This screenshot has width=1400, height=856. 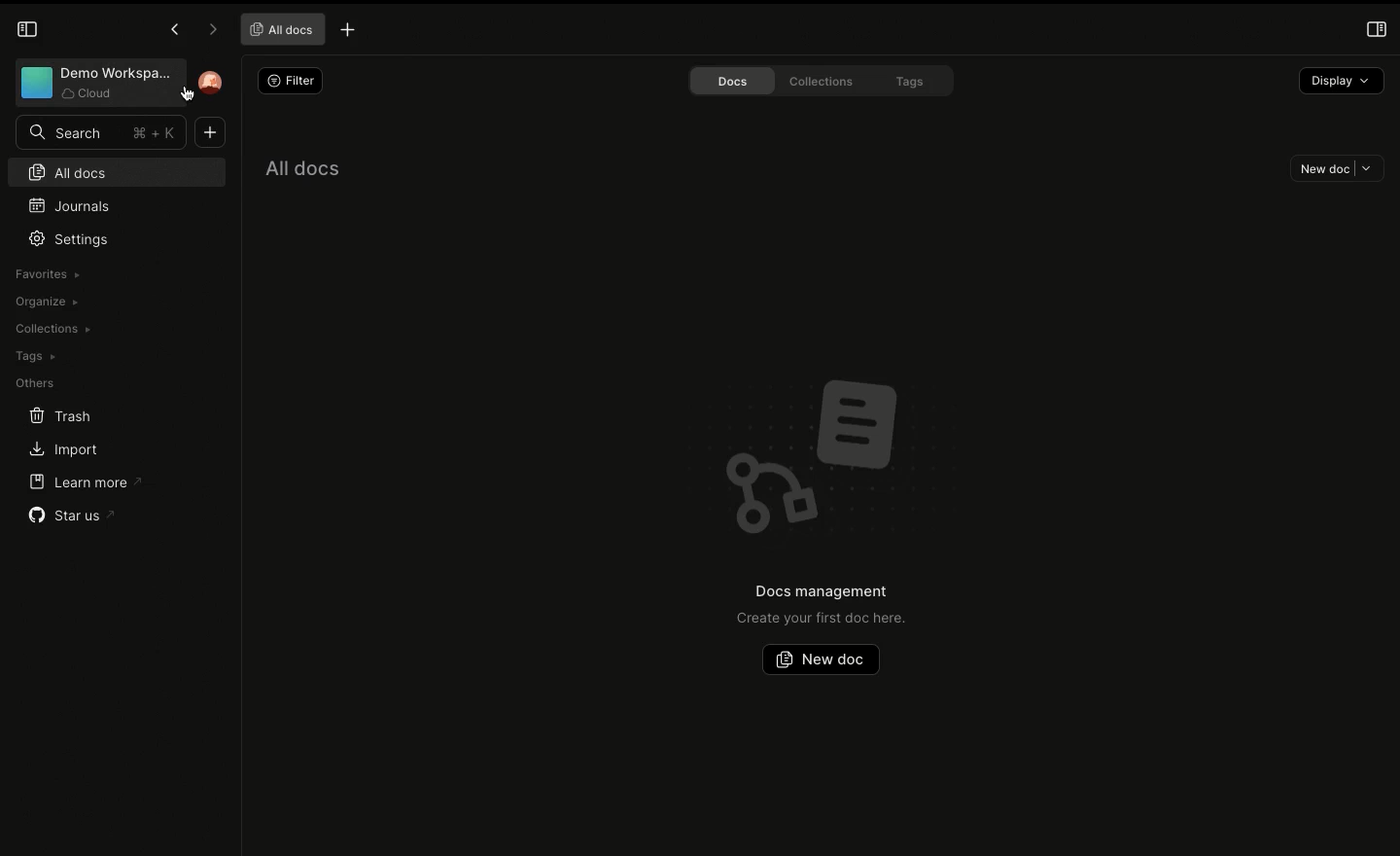 What do you see at coordinates (115, 170) in the screenshot?
I see `All docs` at bounding box center [115, 170].